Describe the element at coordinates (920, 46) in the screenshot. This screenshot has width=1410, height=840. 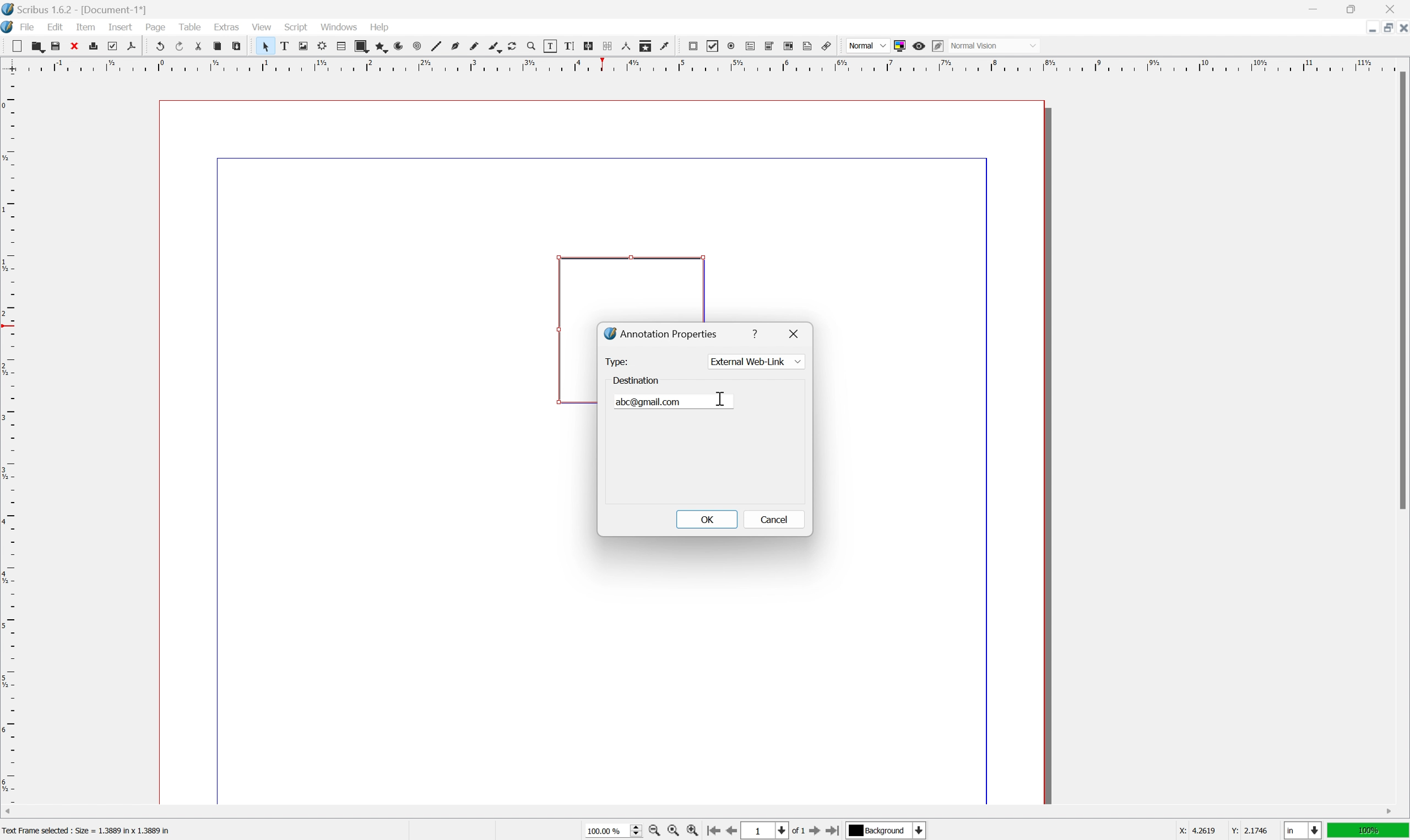
I see `preview mode` at that location.